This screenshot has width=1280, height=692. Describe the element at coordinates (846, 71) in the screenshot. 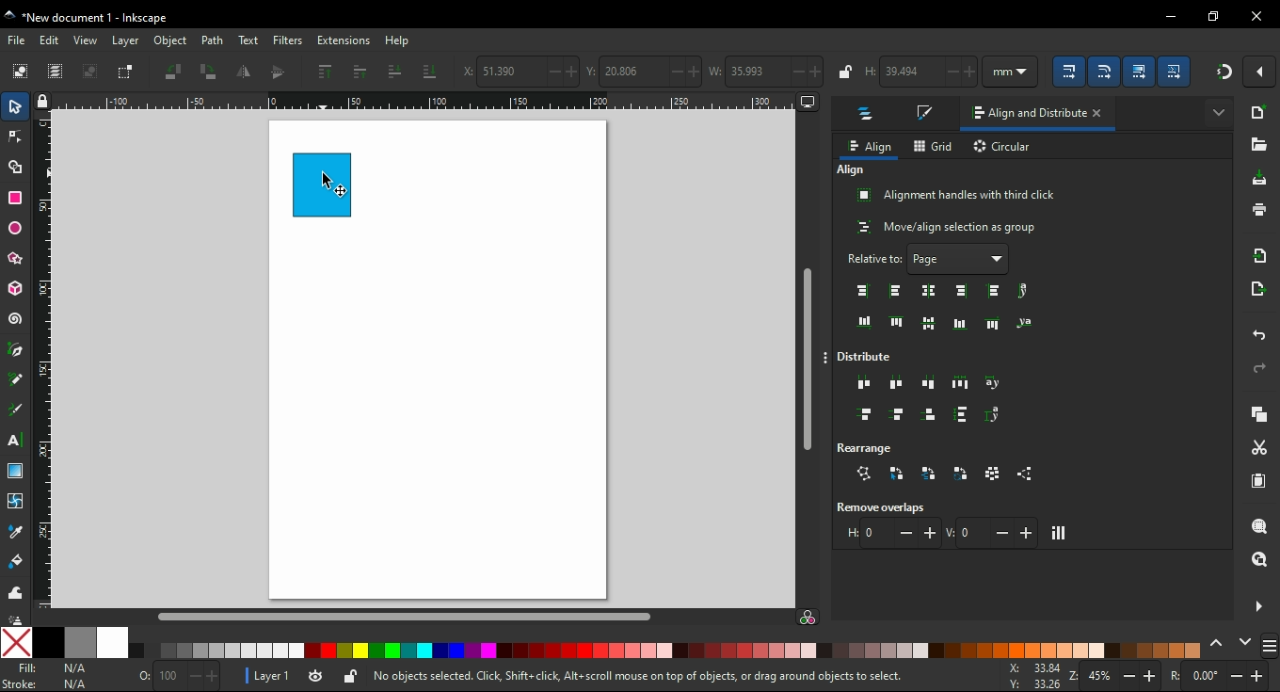

I see `lock ` at that location.